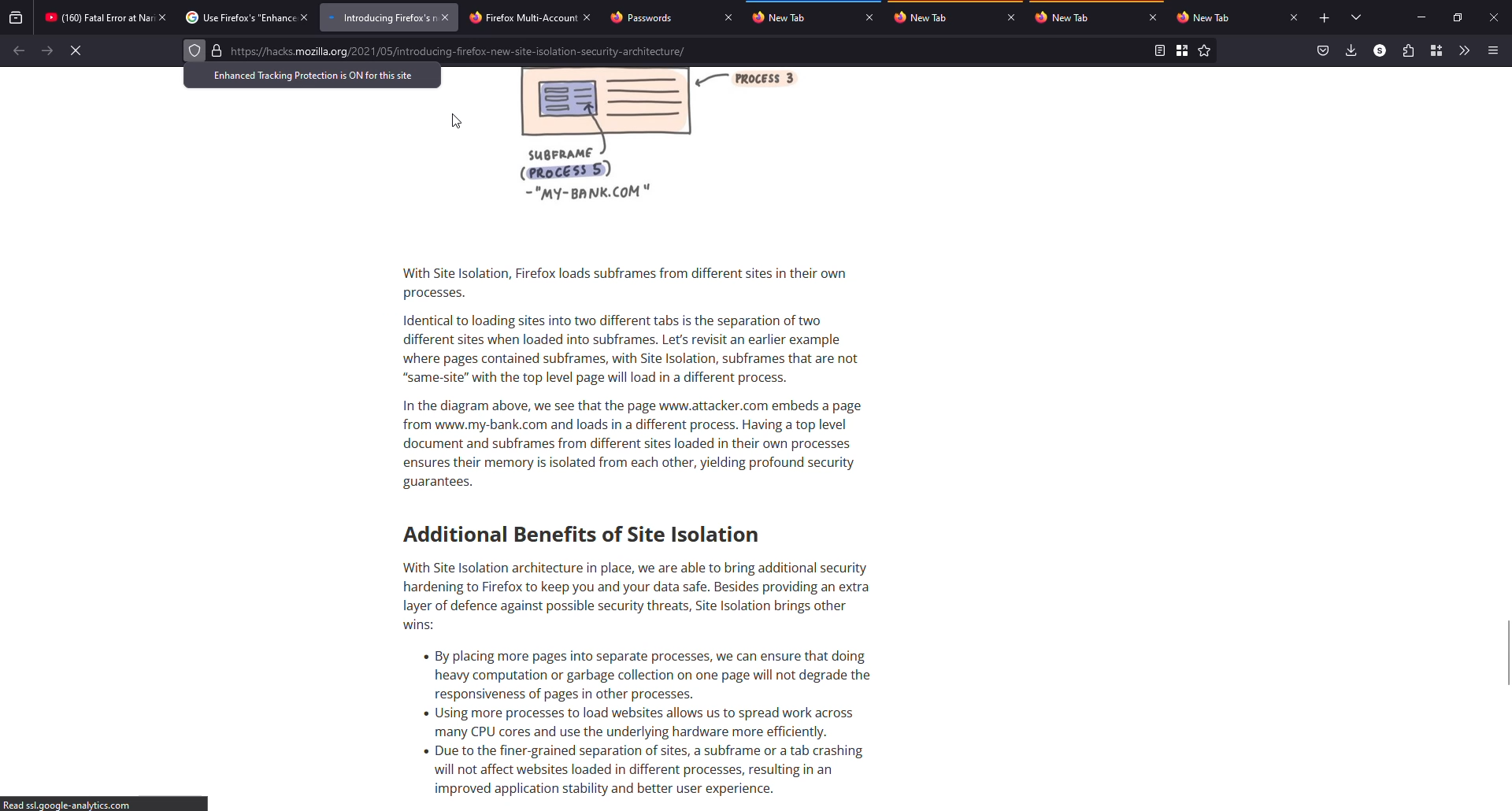  What do you see at coordinates (931, 17) in the screenshot?
I see `tab` at bounding box center [931, 17].